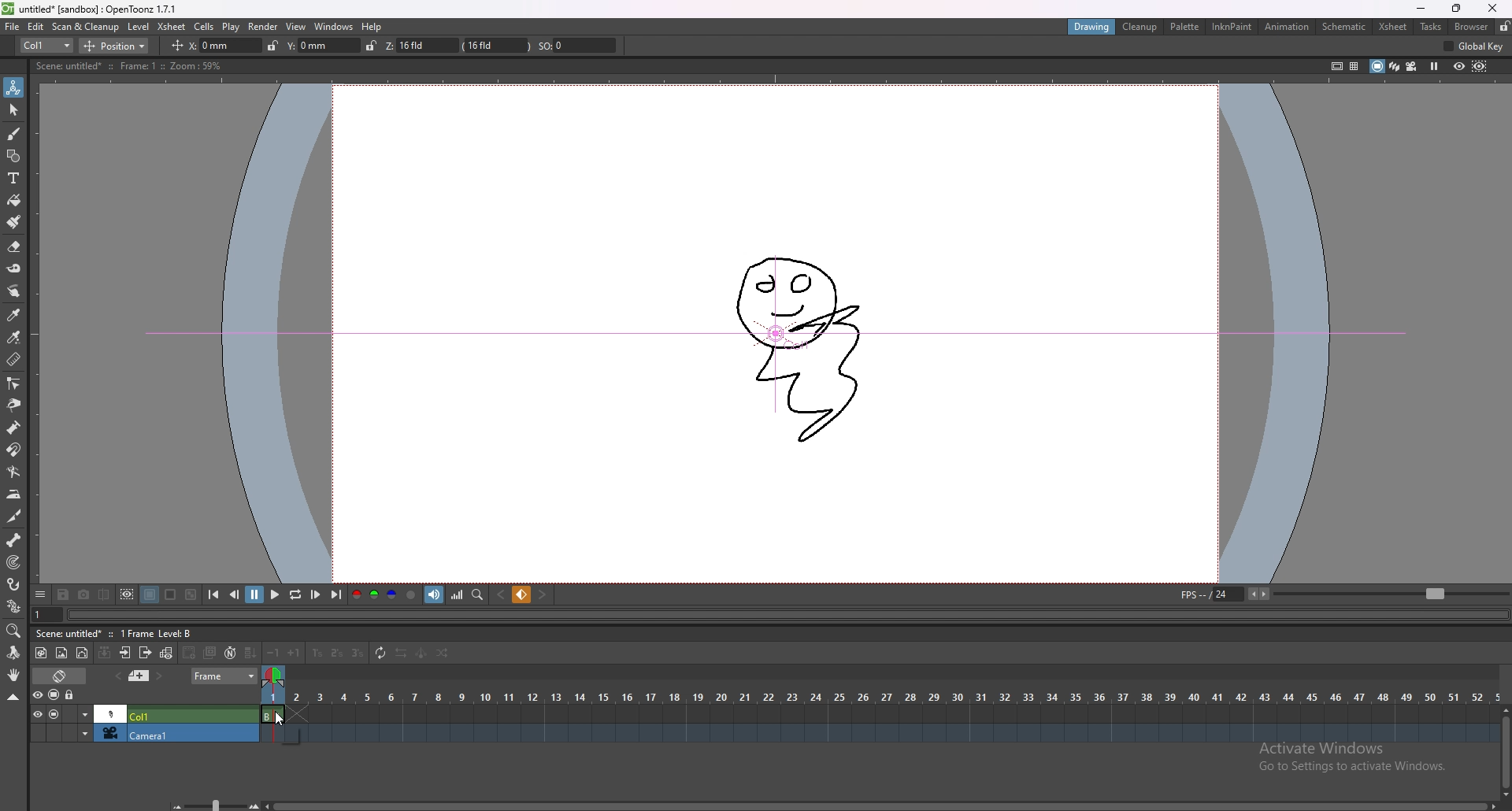  I want to click on soundtrack, so click(436, 595).